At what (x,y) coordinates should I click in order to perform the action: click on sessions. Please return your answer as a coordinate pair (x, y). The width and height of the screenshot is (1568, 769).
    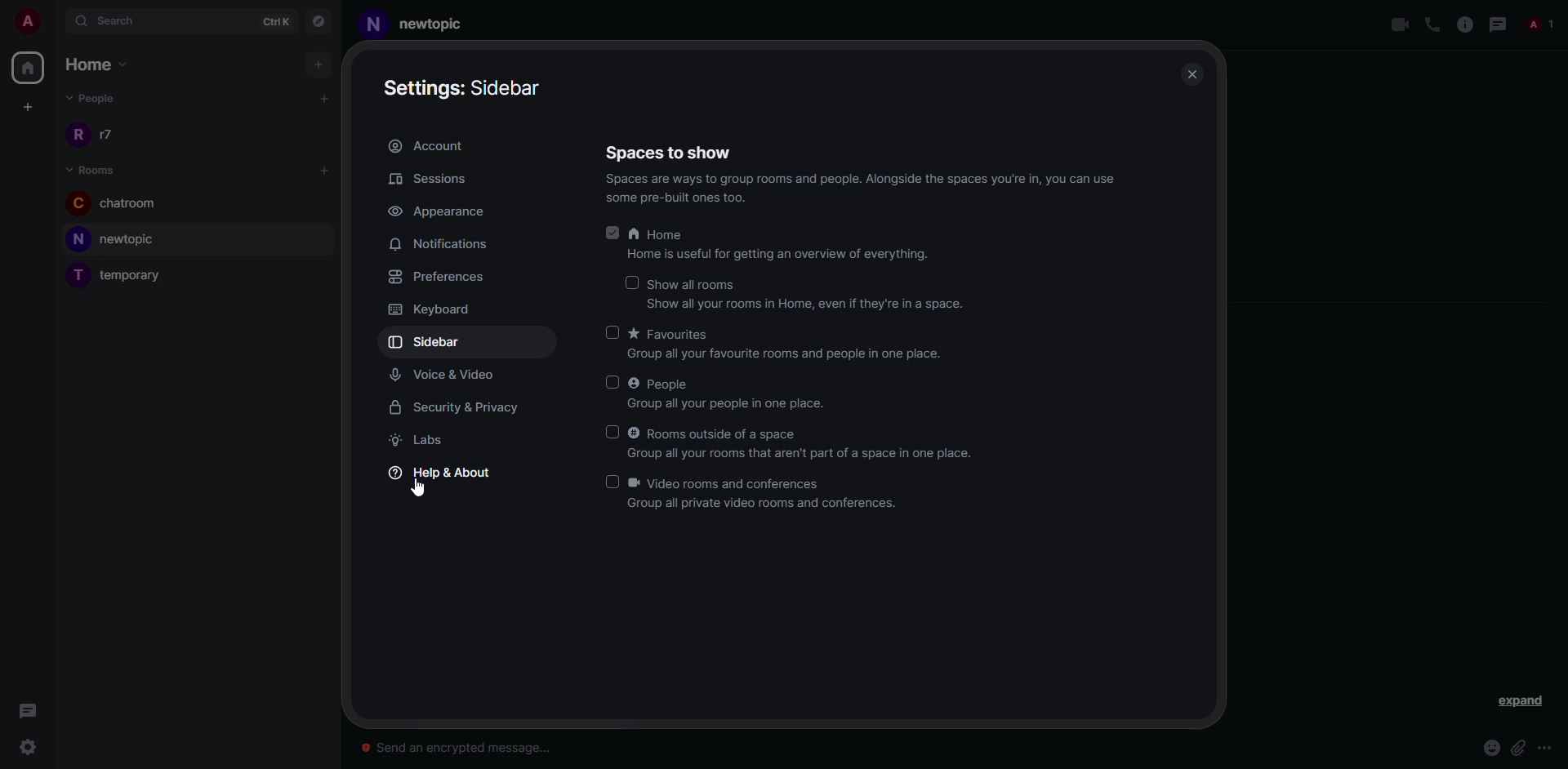
    Looking at the image, I should click on (442, 179).